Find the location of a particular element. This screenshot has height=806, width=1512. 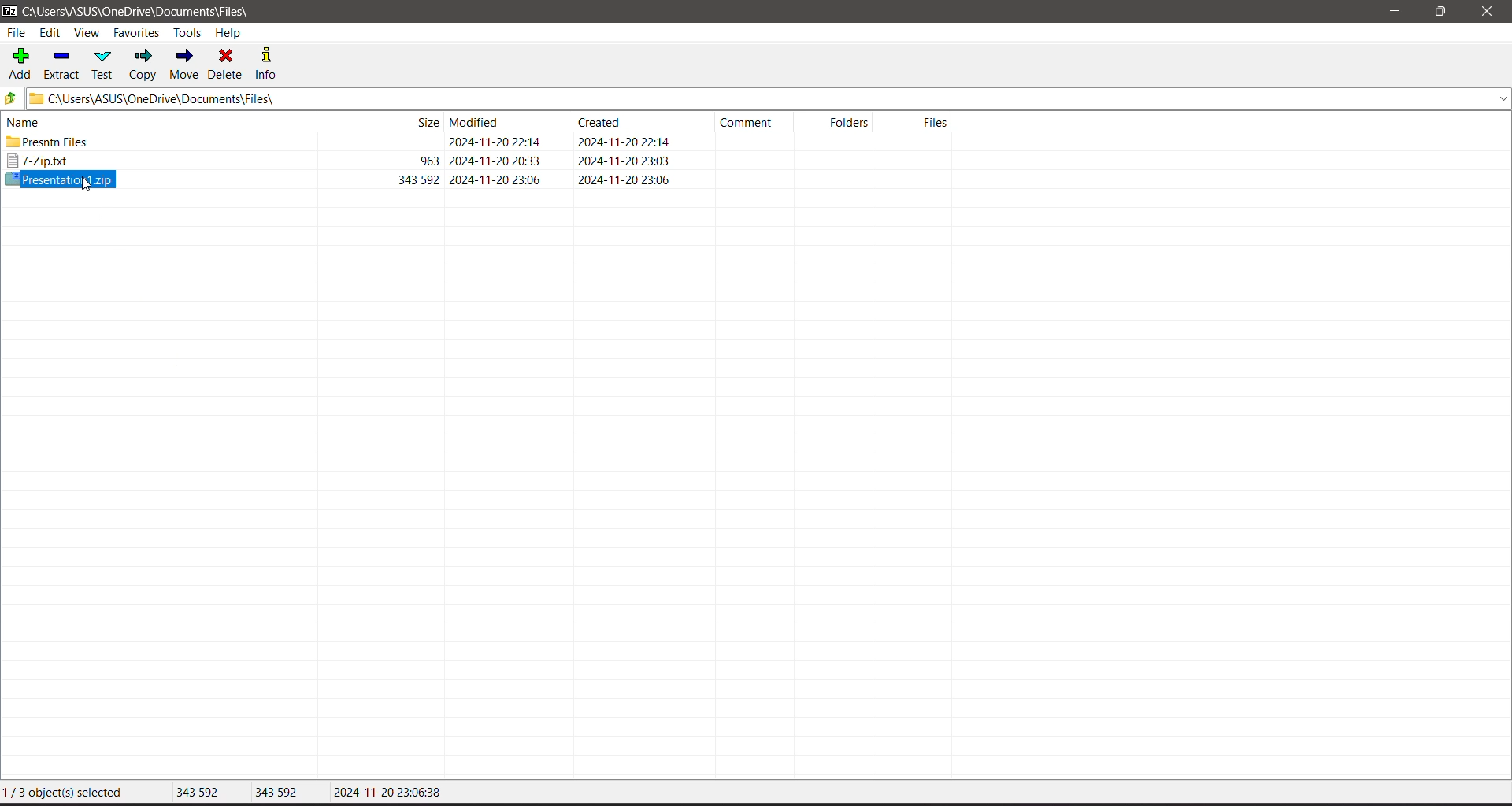

File is located at coordinates (16, 33).